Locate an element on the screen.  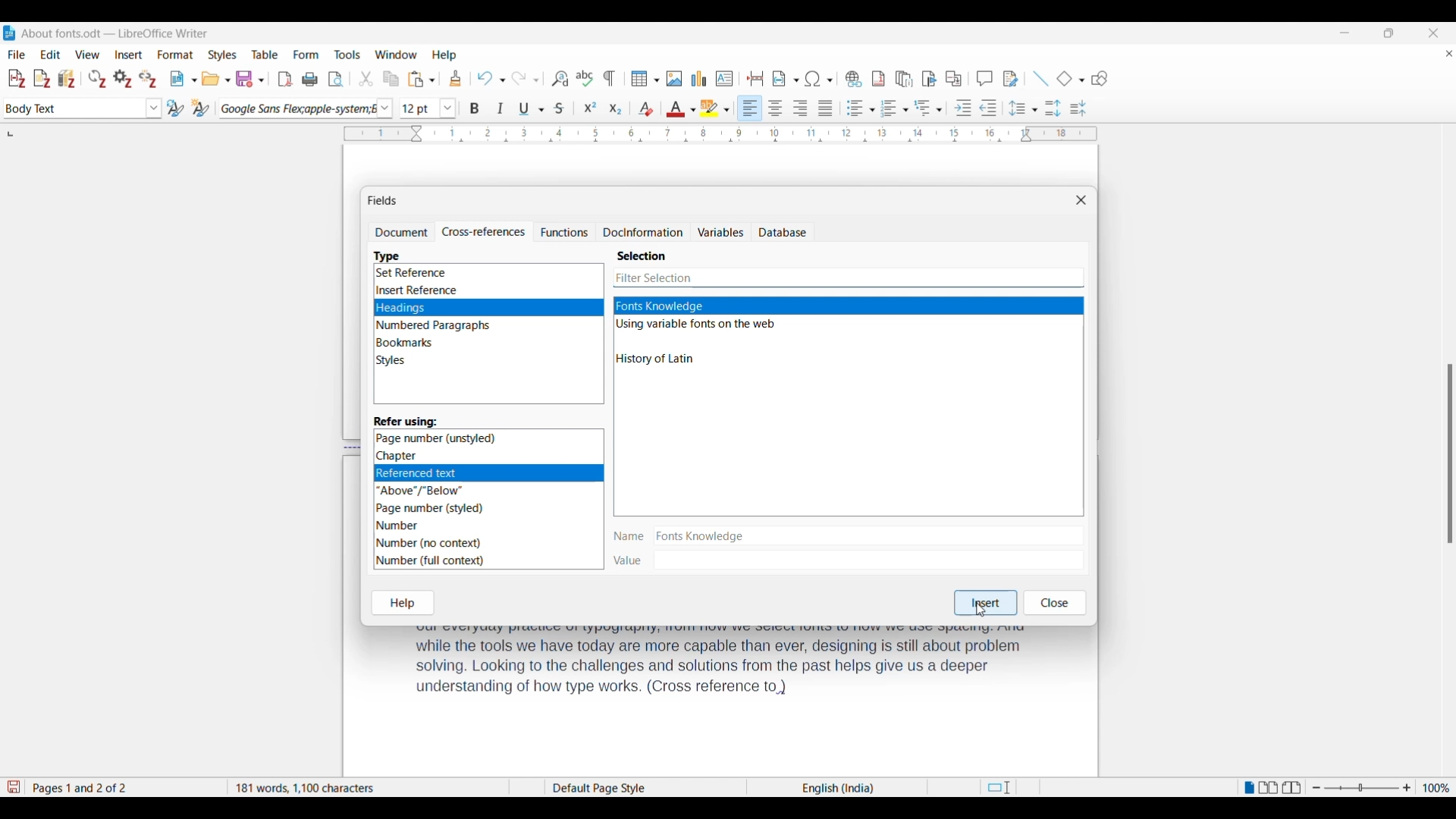
Edit menu is located at coordinates (50, 54).